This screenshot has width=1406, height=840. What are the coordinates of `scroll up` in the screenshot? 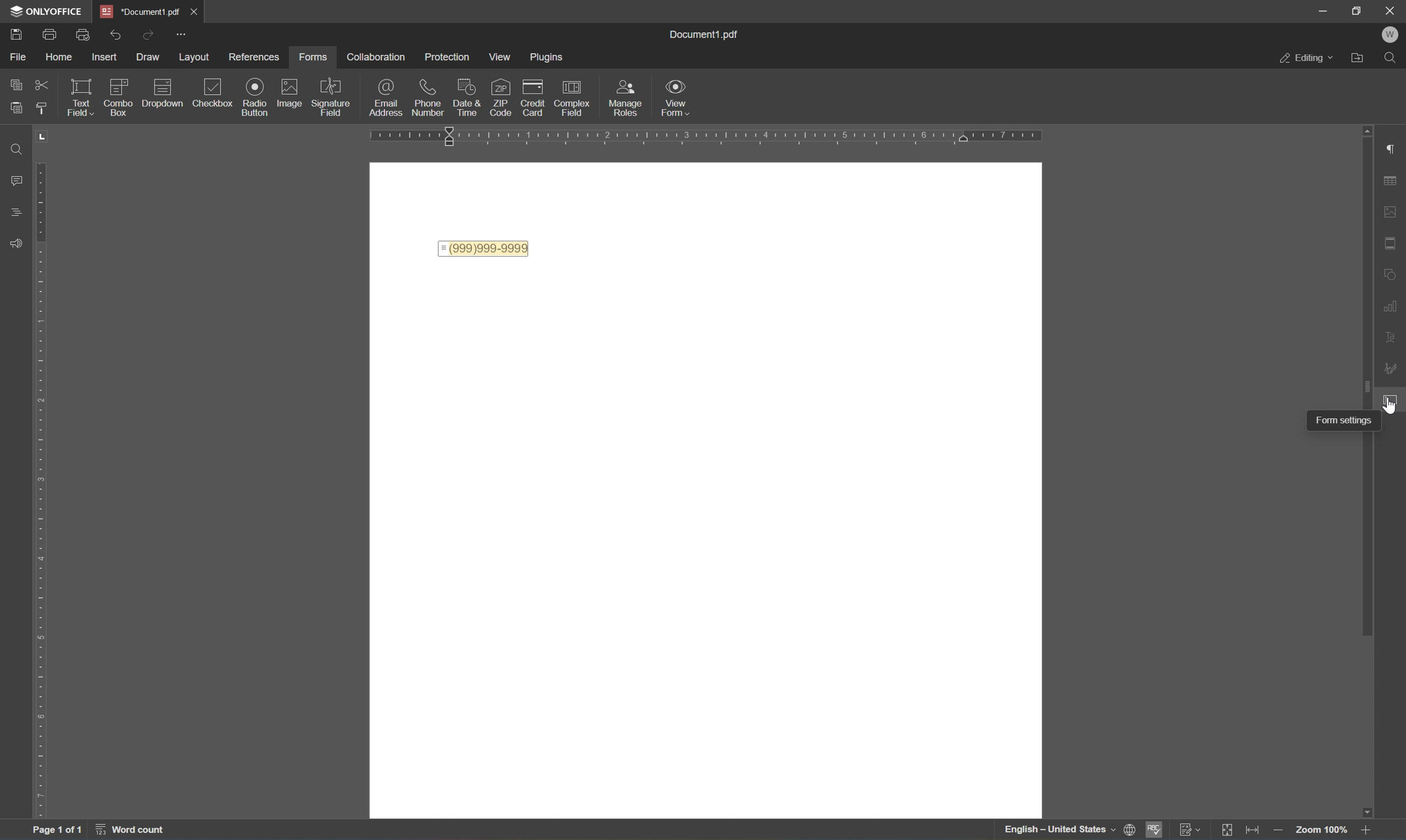 It's located at (1365, 130).